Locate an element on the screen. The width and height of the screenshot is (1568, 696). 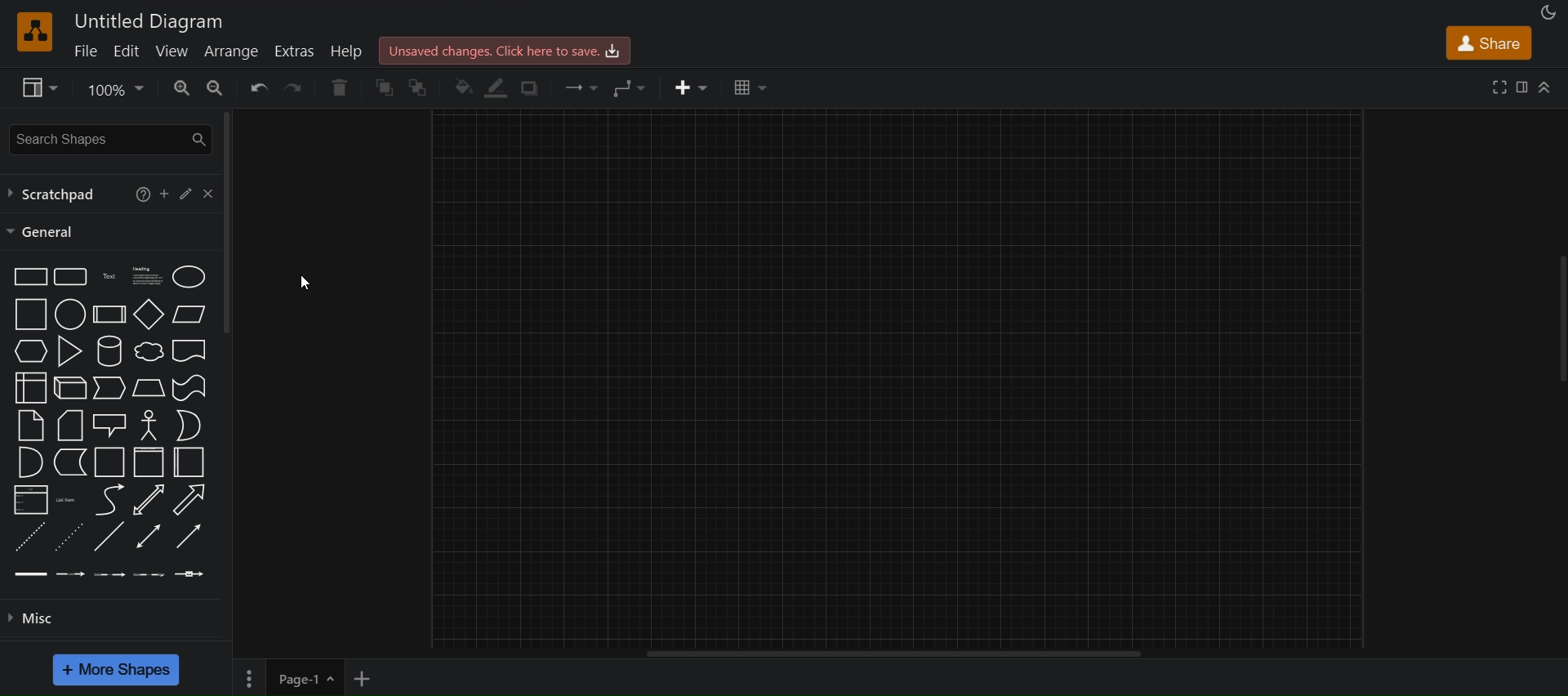
collapase/expand is located at coordinates (1545, 86).